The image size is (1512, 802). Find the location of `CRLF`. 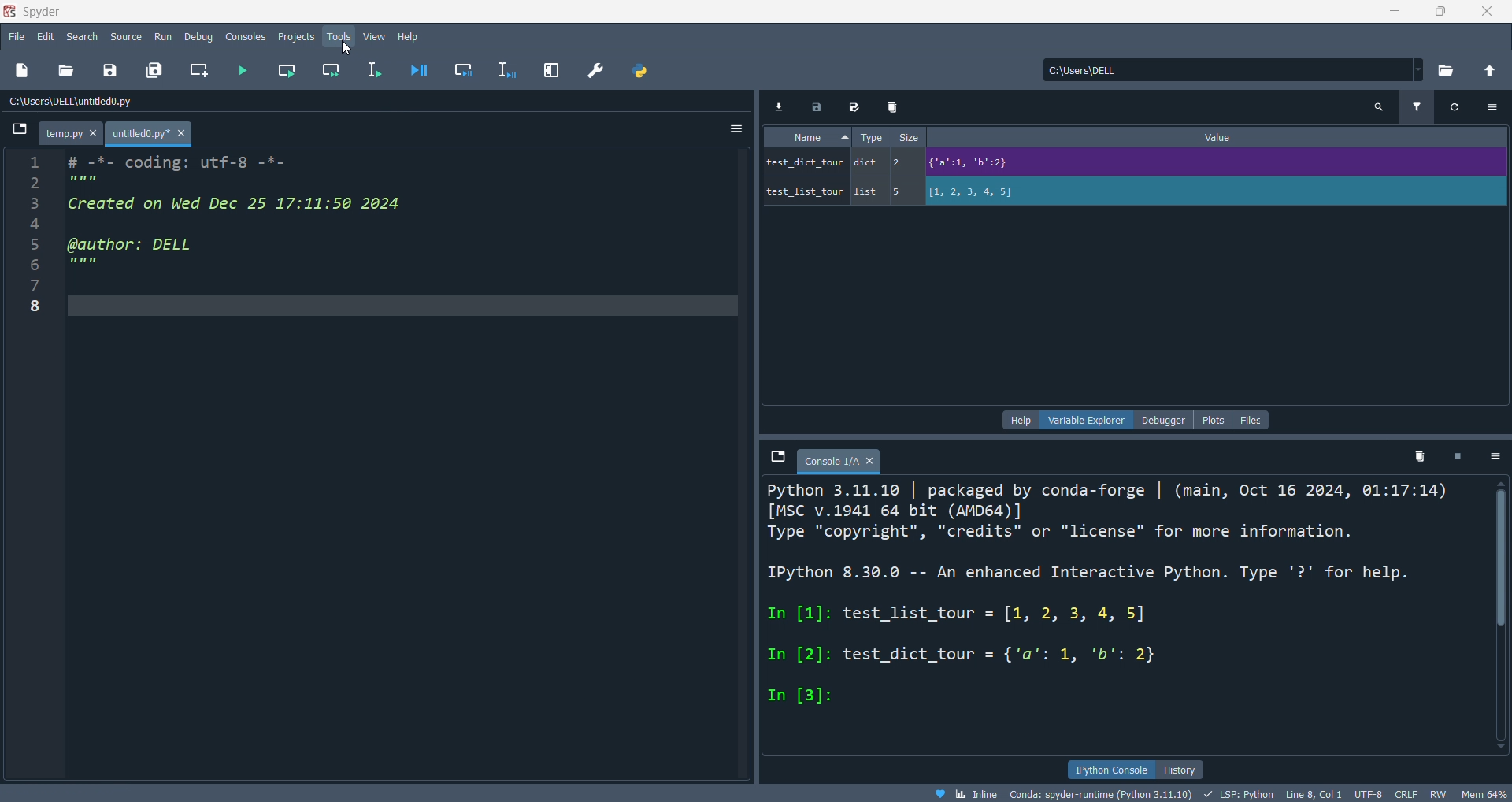

CRLF is located at coordinates (1408, 794).